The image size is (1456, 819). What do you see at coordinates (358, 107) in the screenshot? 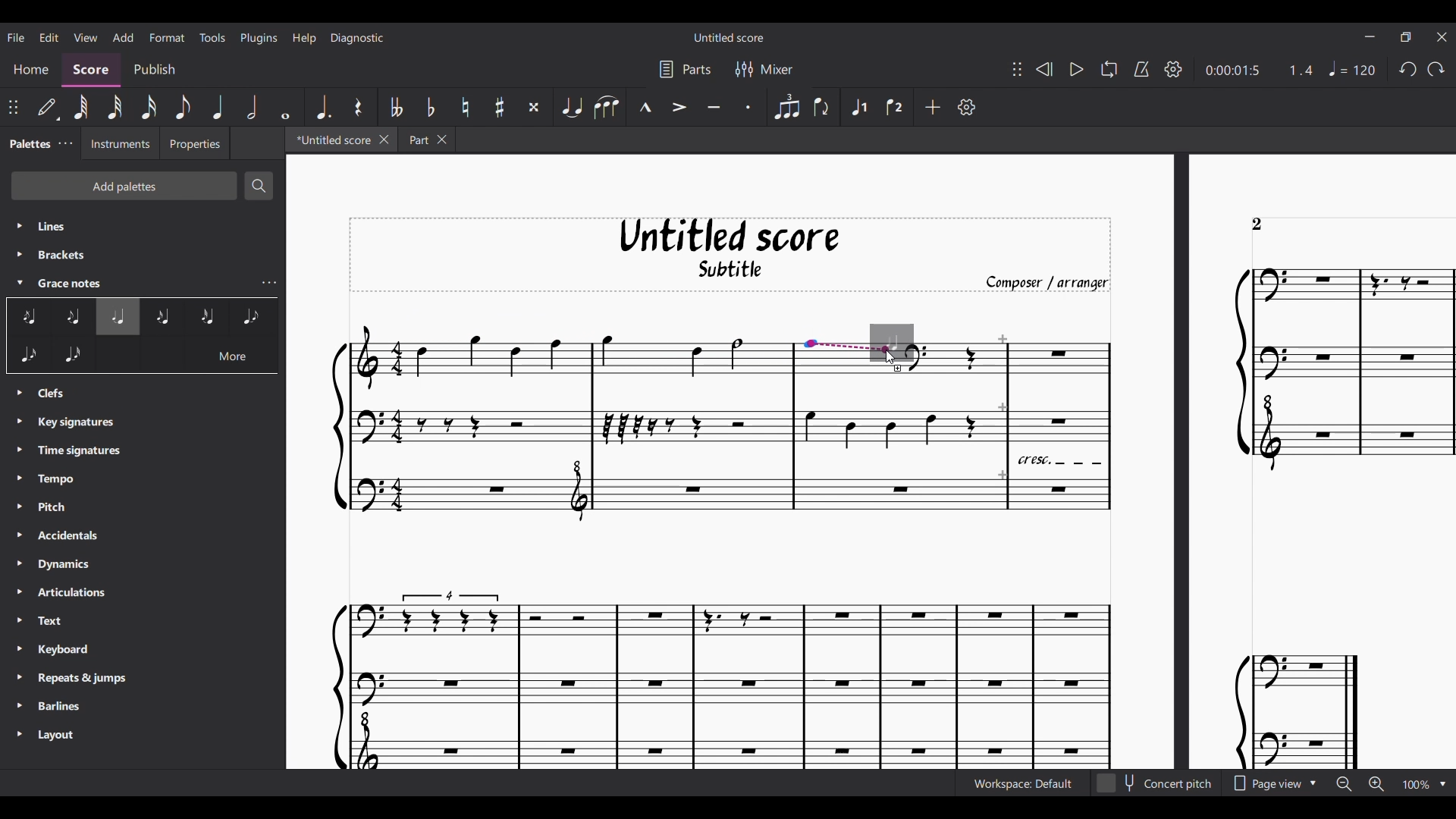
I see `Rest` at bounding box center [358, 107].